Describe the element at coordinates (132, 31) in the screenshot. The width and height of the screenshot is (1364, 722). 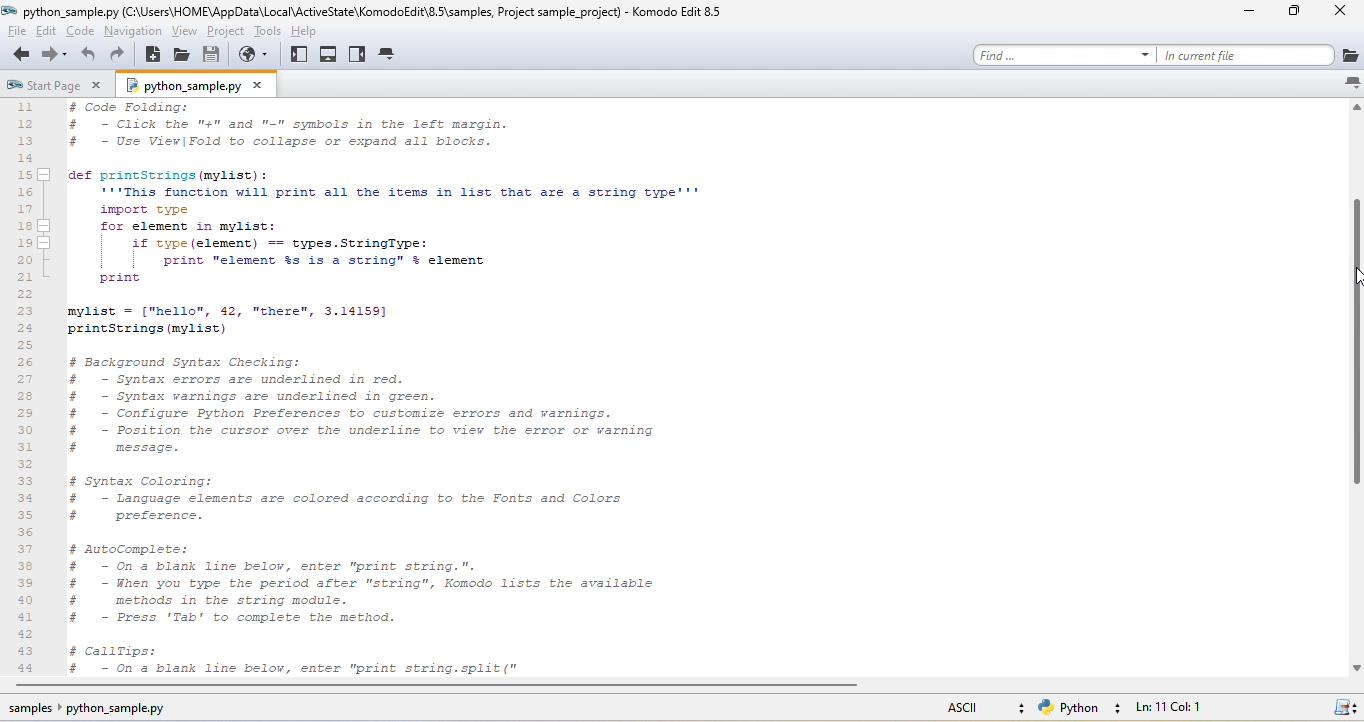
I see `navigation` at that location.